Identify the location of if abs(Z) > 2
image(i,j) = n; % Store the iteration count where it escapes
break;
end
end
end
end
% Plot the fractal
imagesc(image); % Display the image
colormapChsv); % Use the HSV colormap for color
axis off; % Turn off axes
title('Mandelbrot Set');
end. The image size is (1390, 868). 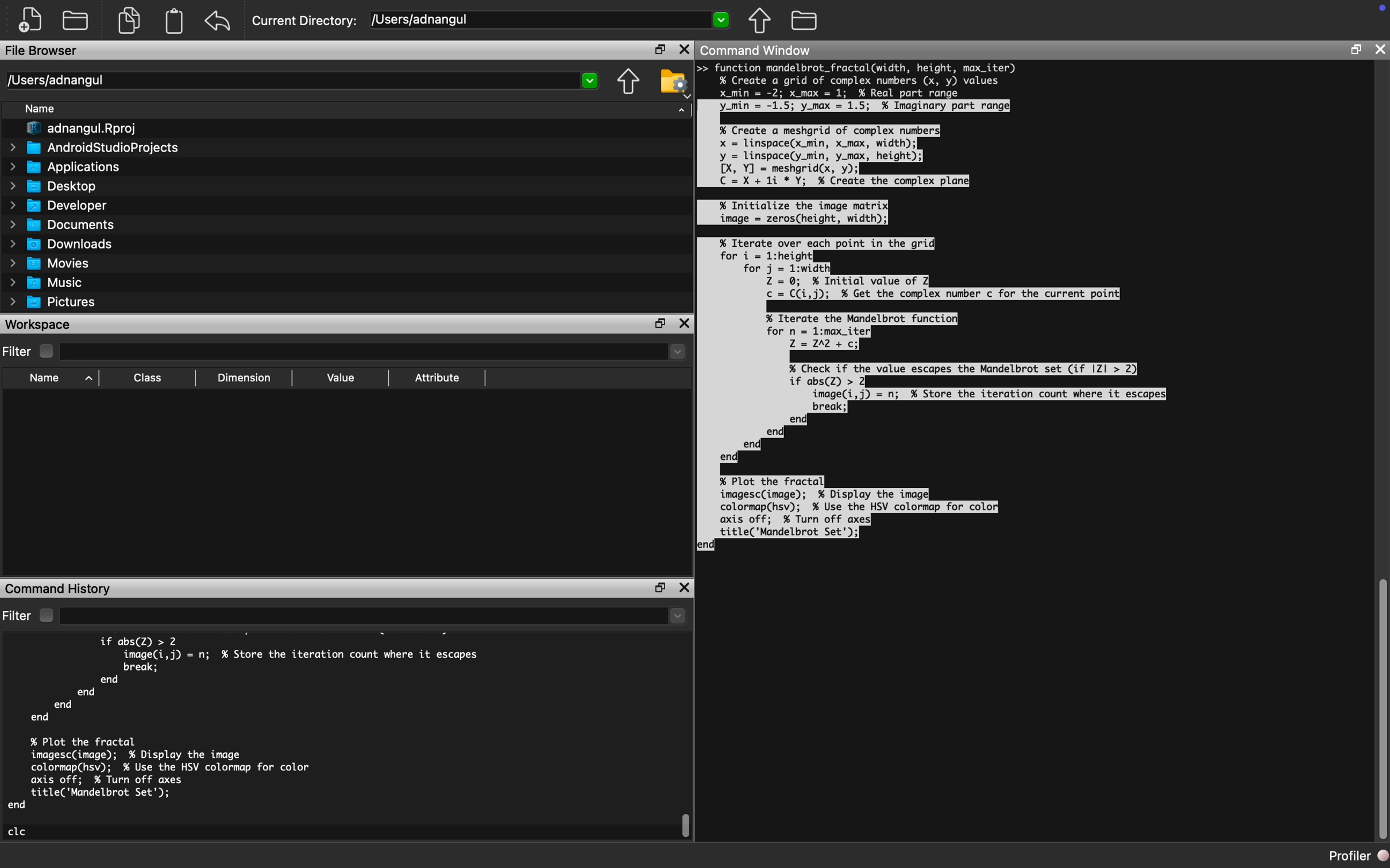
(248, 723).